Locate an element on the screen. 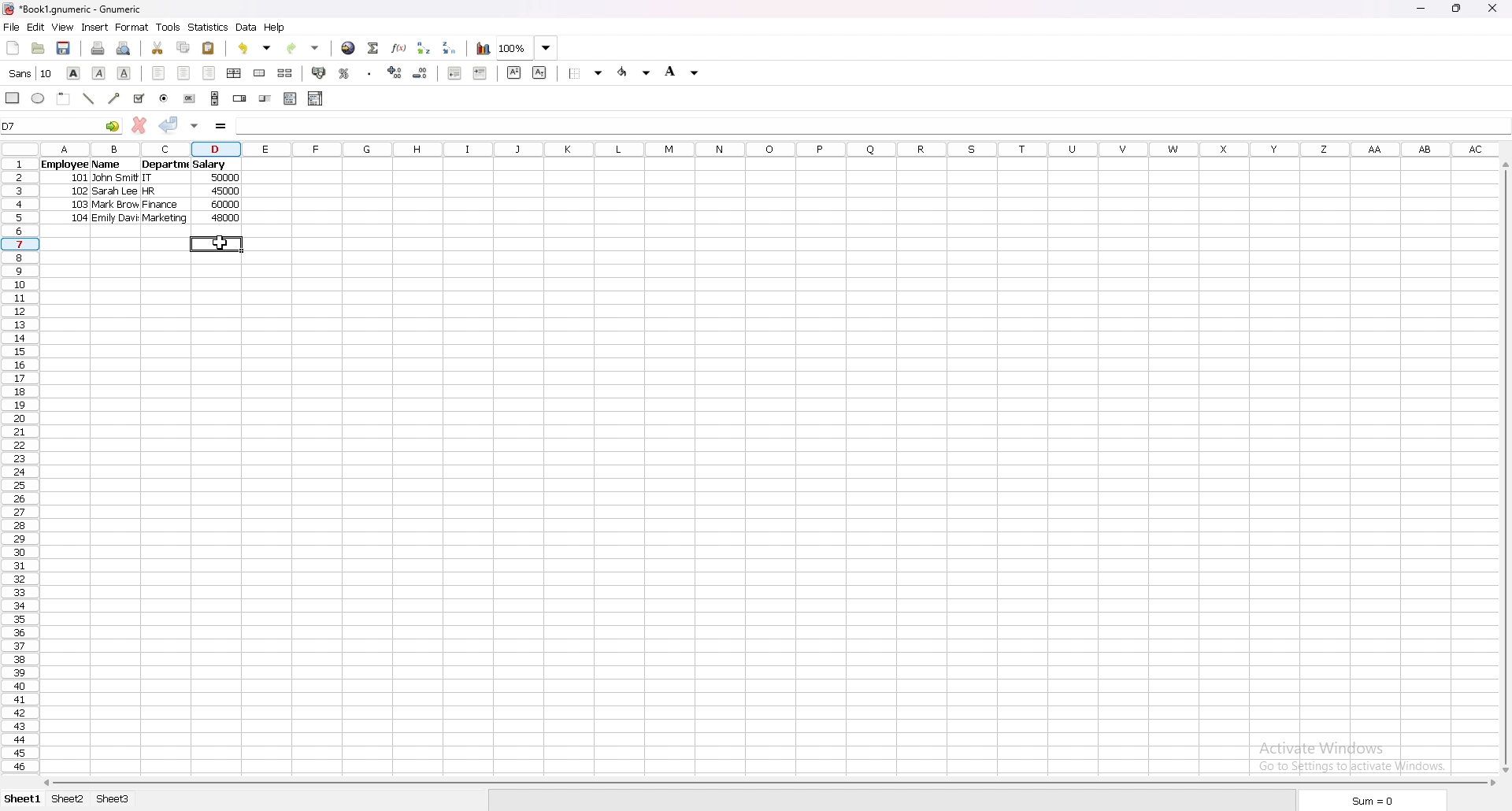 Image resolution: width=1512 pixels, height=811 pixels. sum is located at coordinates (1375, 799).